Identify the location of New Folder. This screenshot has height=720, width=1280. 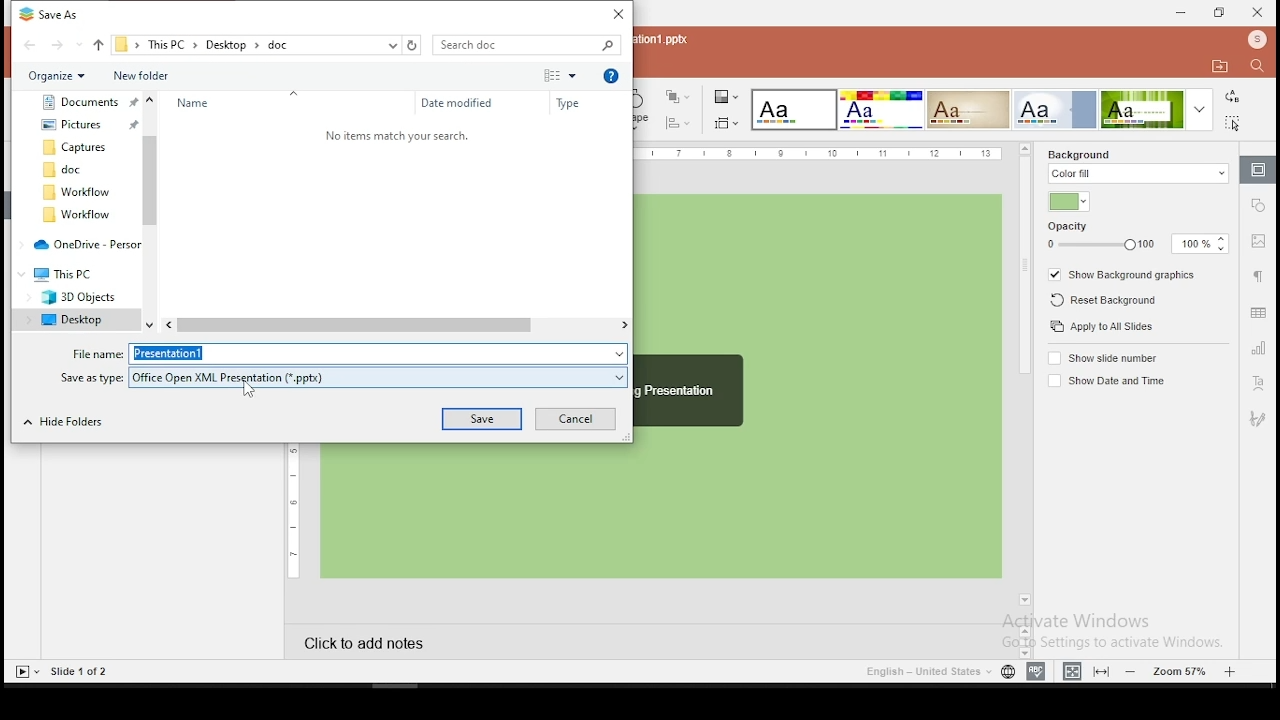
(170, 75).